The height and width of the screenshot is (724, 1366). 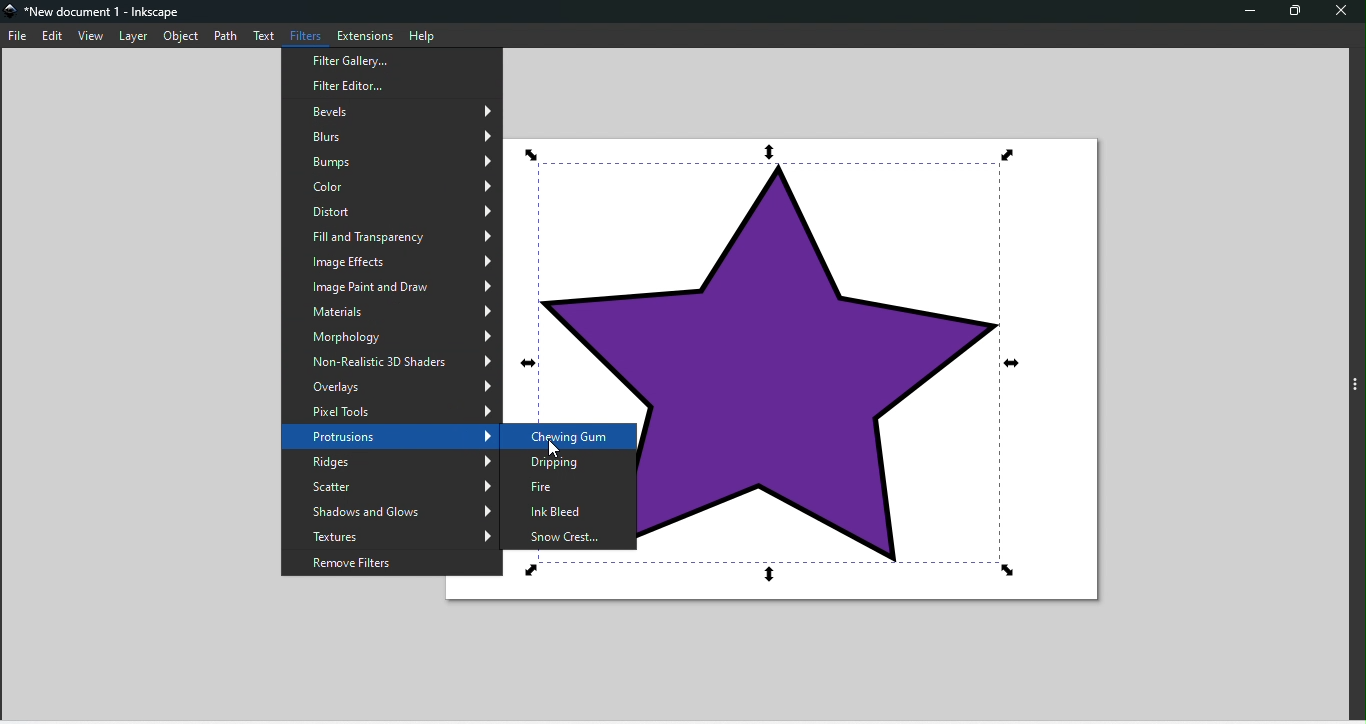 I want to click on Shadows and Glows, so click(x=387, y=511).